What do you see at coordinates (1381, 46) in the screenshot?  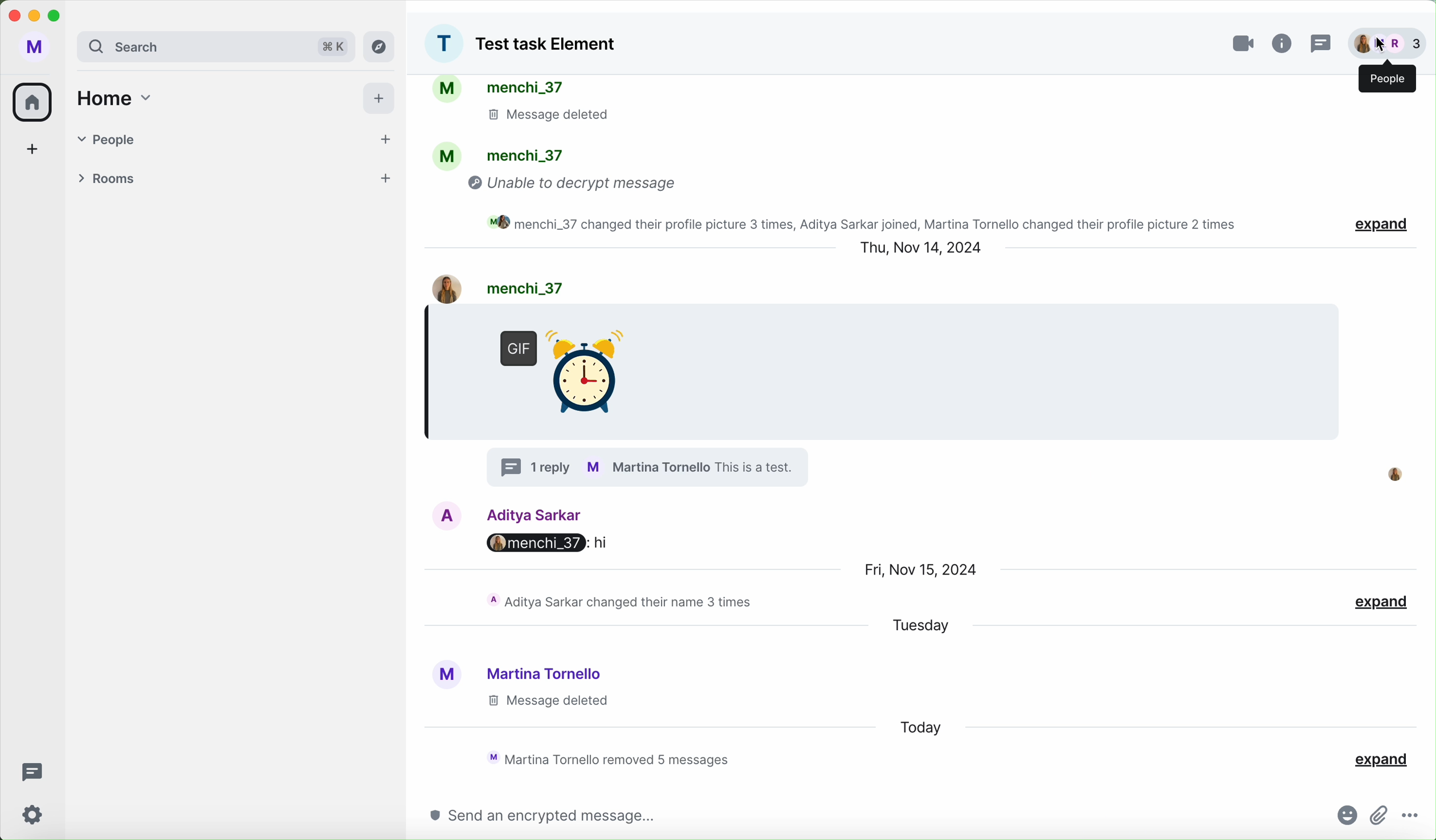 I see `cursor` at bounding box center [1381, 46].